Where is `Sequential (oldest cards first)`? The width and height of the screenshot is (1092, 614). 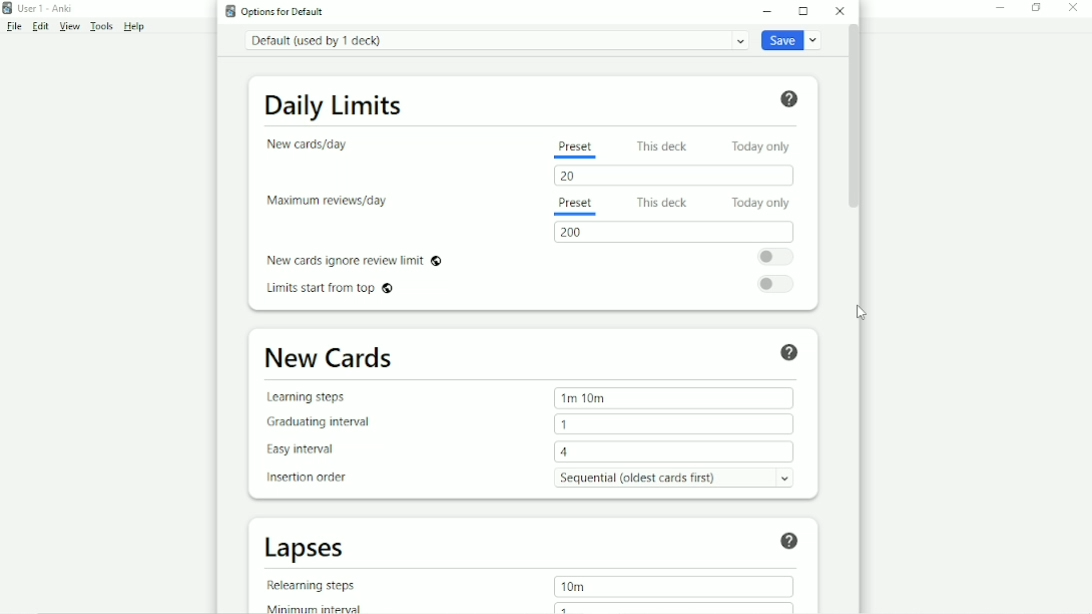
Sequential (oldest cards first) is located at coordinates (679, 478).